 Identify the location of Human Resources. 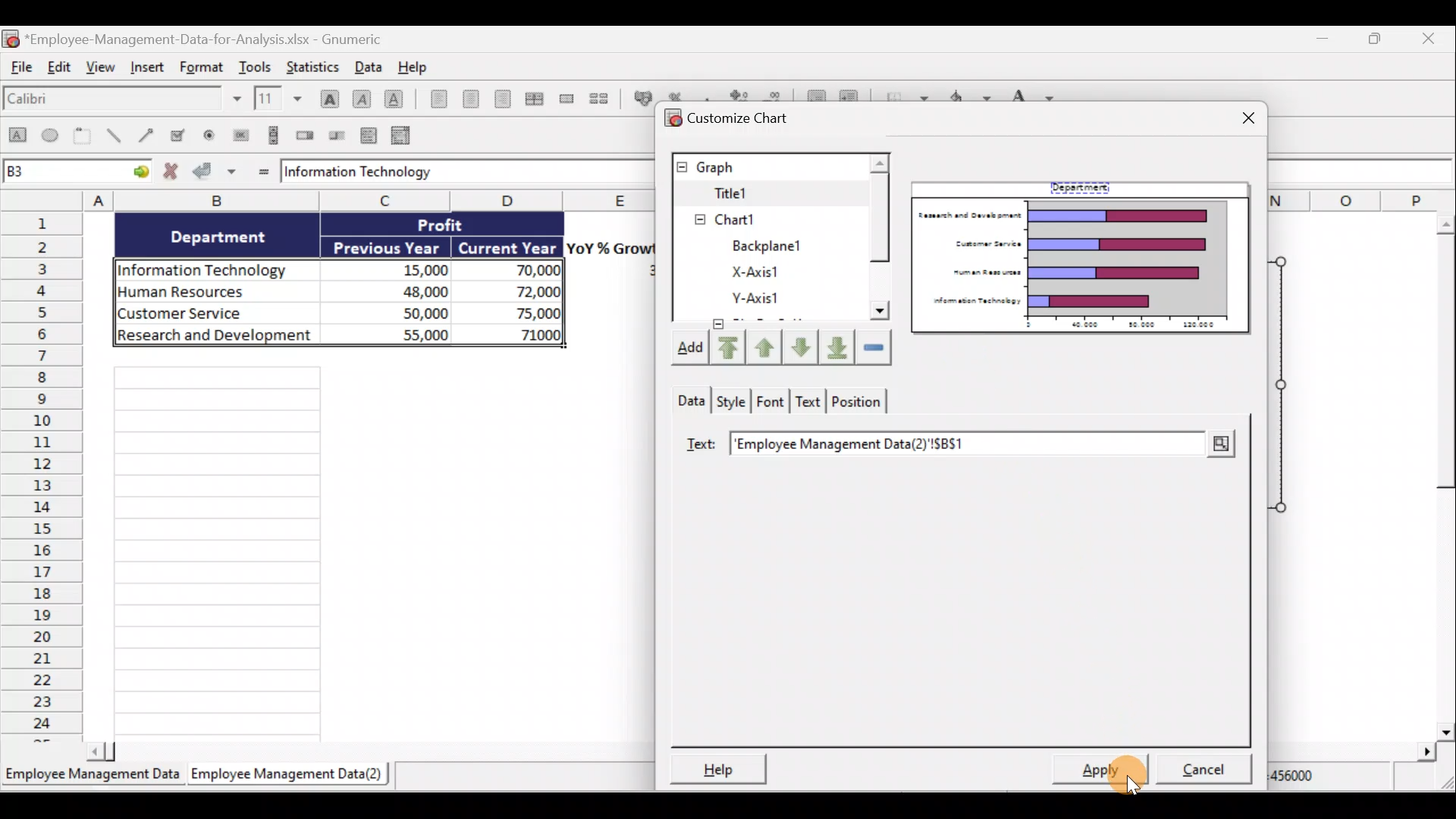
(211, 293).